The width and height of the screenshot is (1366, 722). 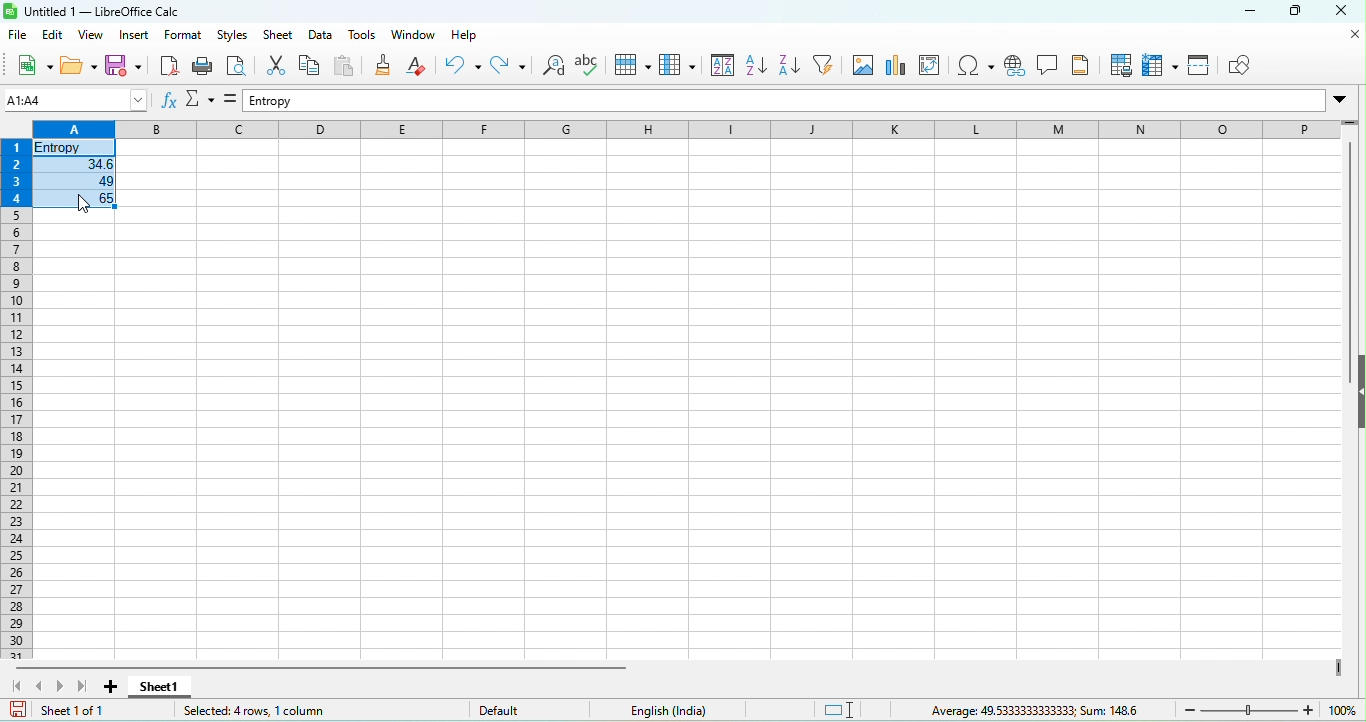 What do you see at coordinates (794, 68) in the screenshot?
I see `sort descending` at bounding box center [794, 68].